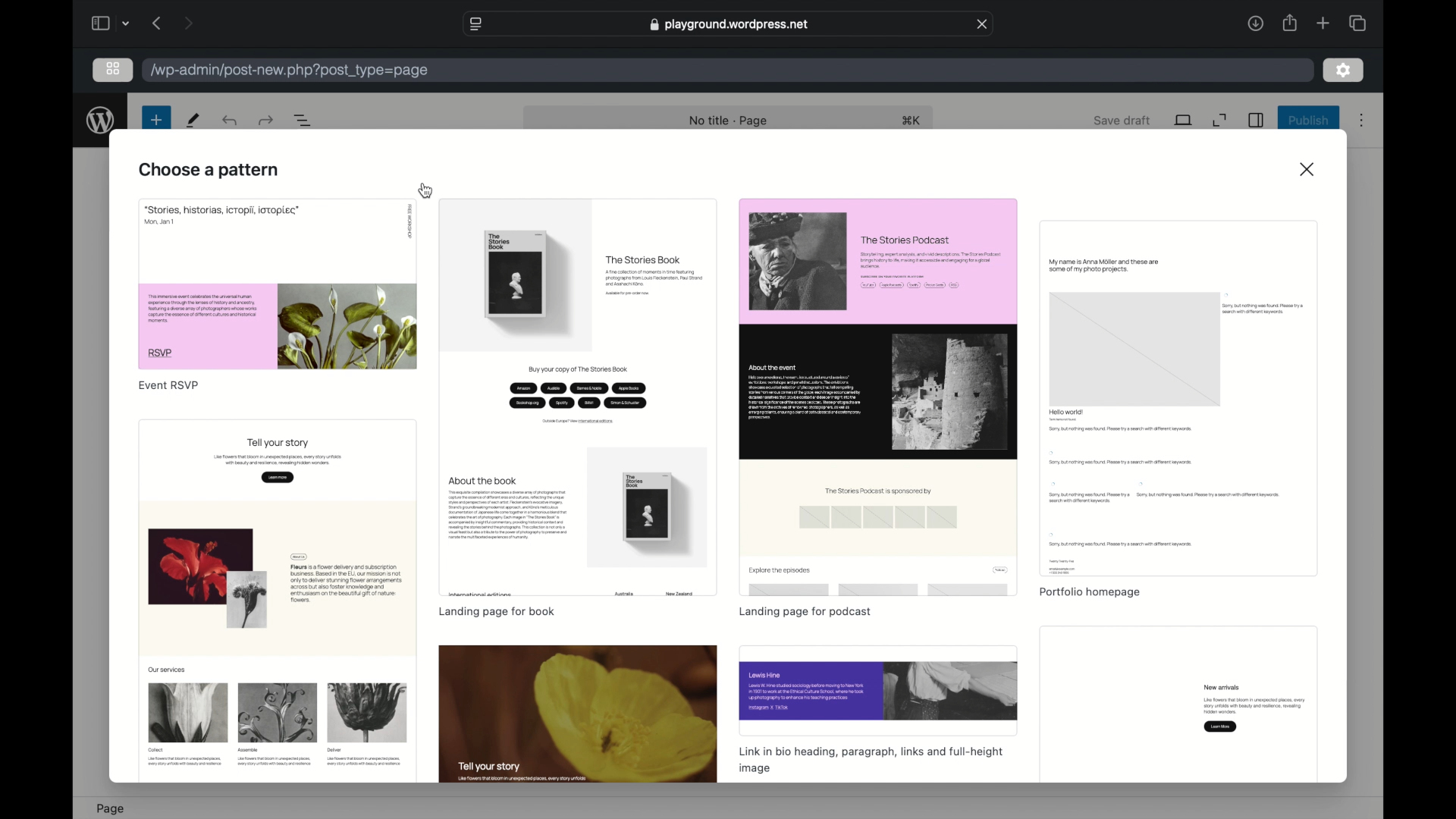 The image size is (1456, 819). What do you see at coordinates (1344, 71) in the screenshot?
I see `settings` at bounding box center [1344, 71].